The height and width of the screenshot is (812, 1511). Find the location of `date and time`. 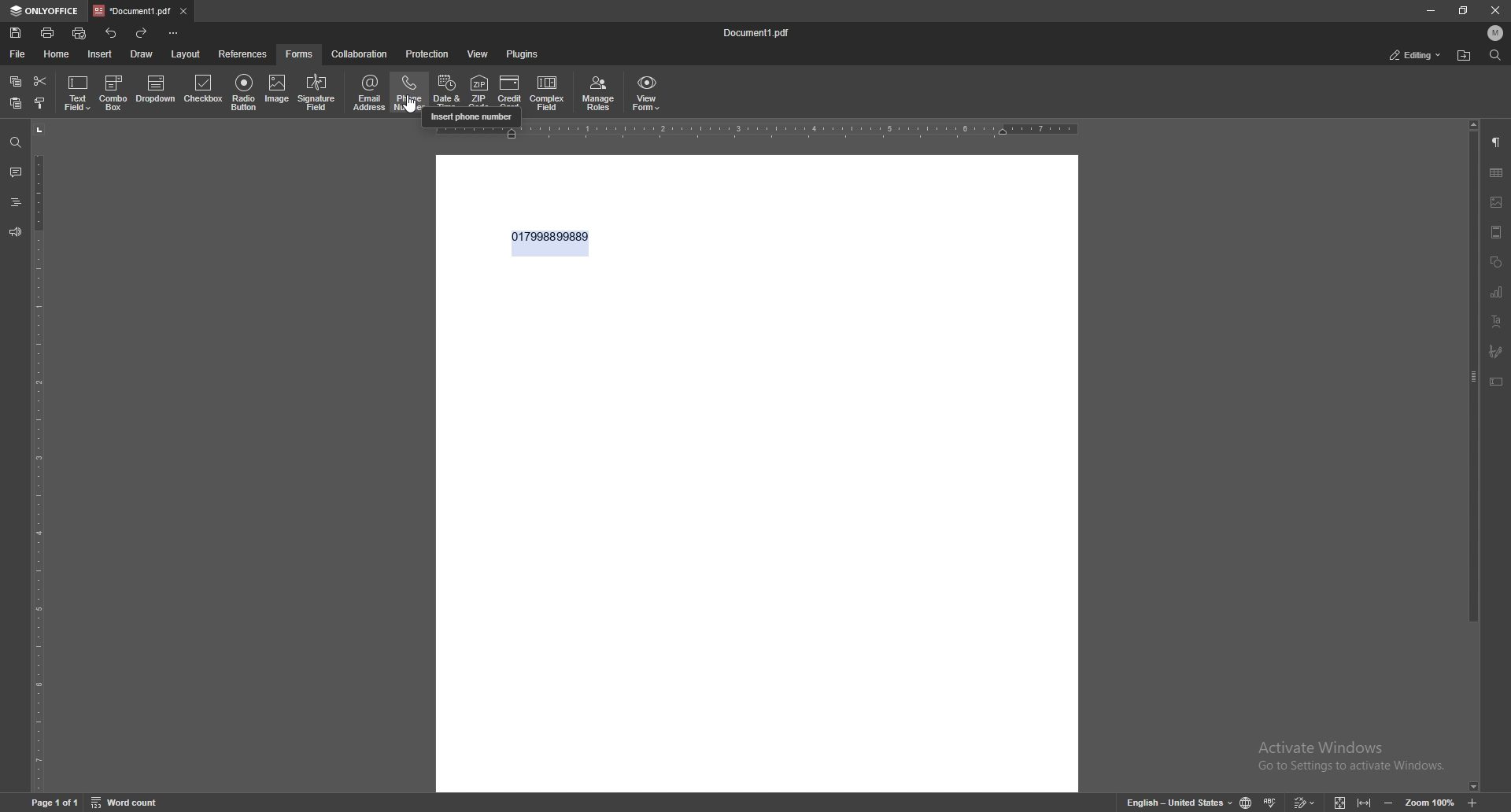

date and time is located at coordinates (447, 89).